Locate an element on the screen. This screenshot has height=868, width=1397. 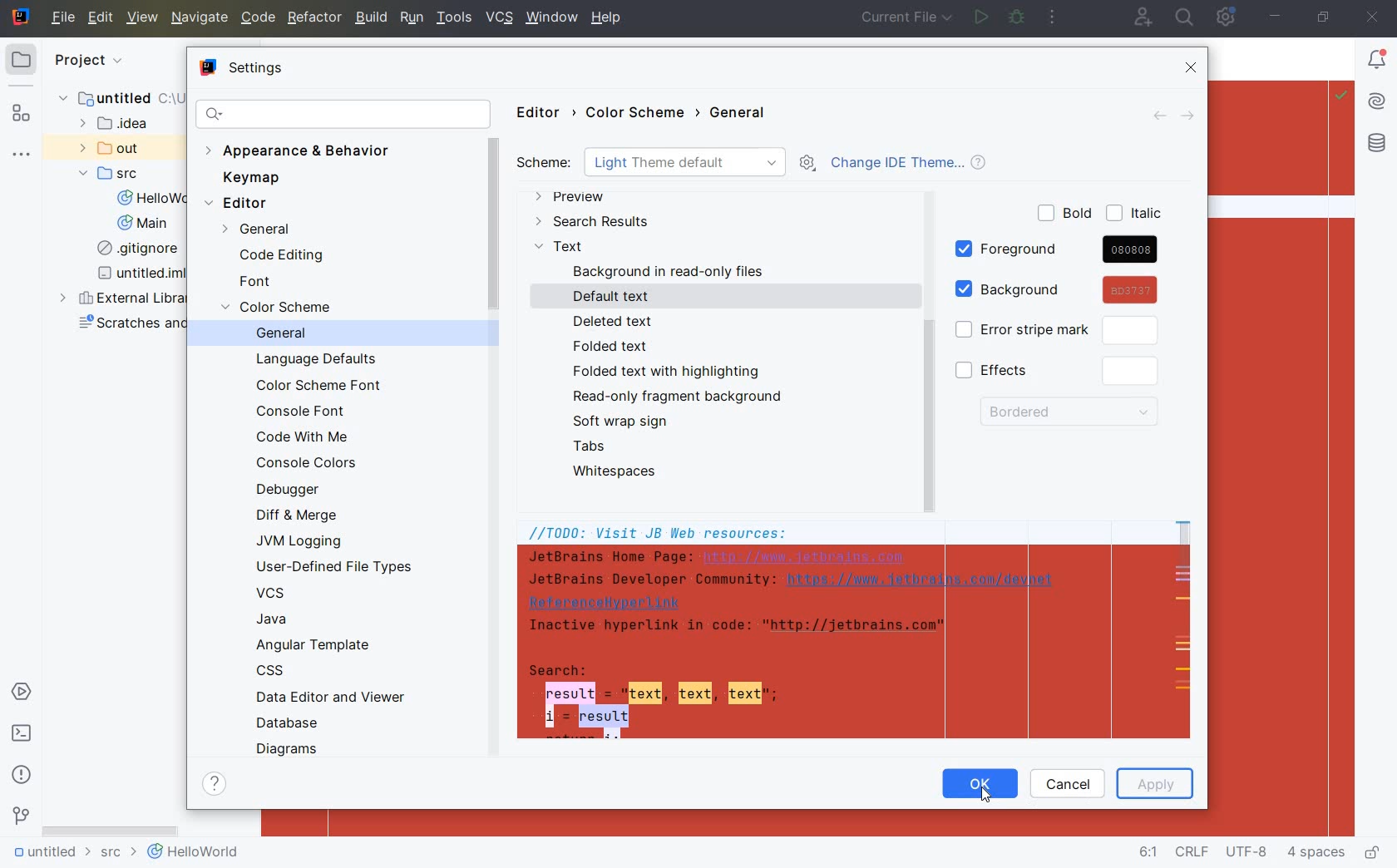
cursor is located at coordinates (1133, 291).